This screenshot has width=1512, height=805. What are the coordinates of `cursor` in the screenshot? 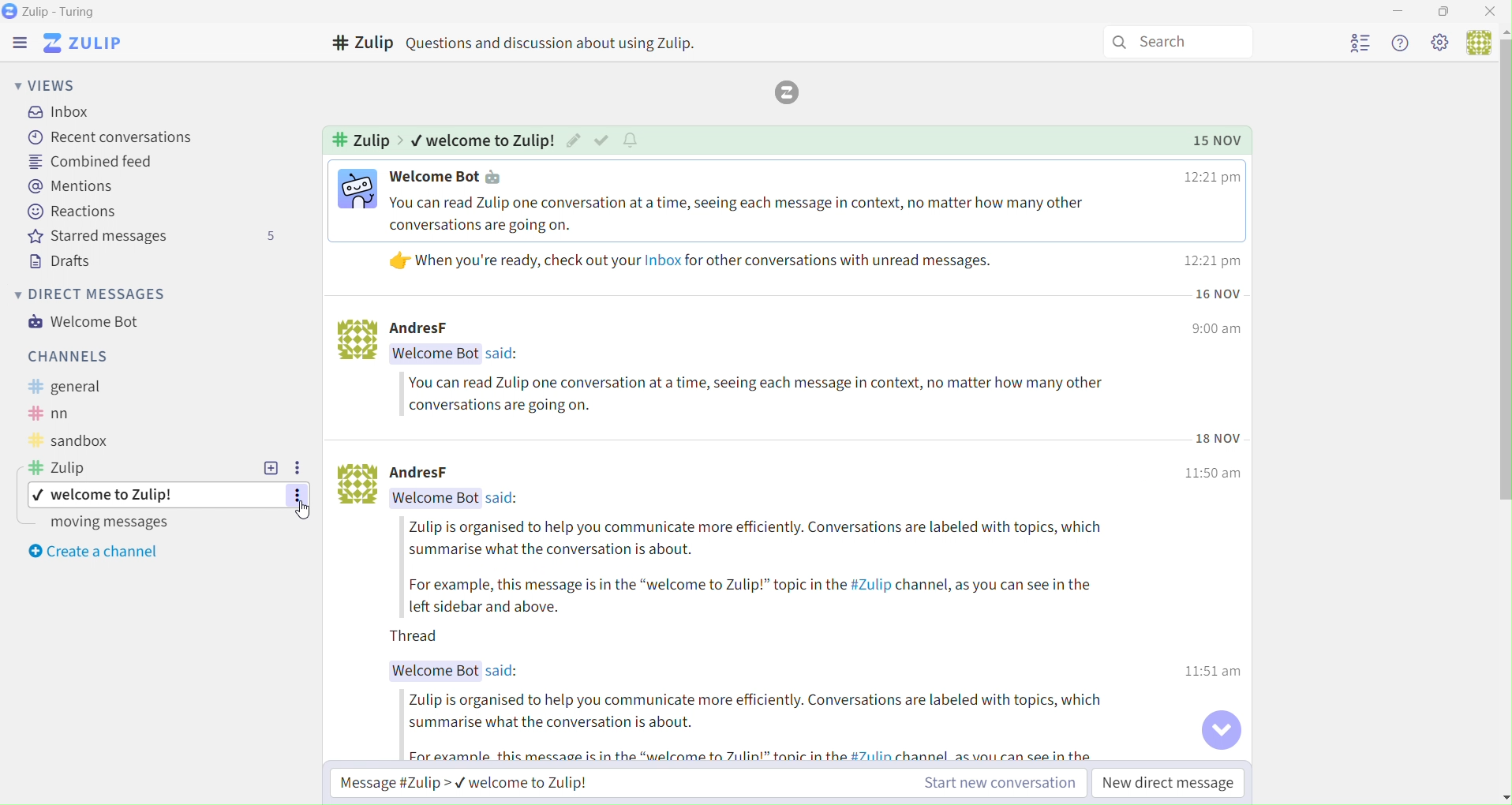 It's located at (303, 511).